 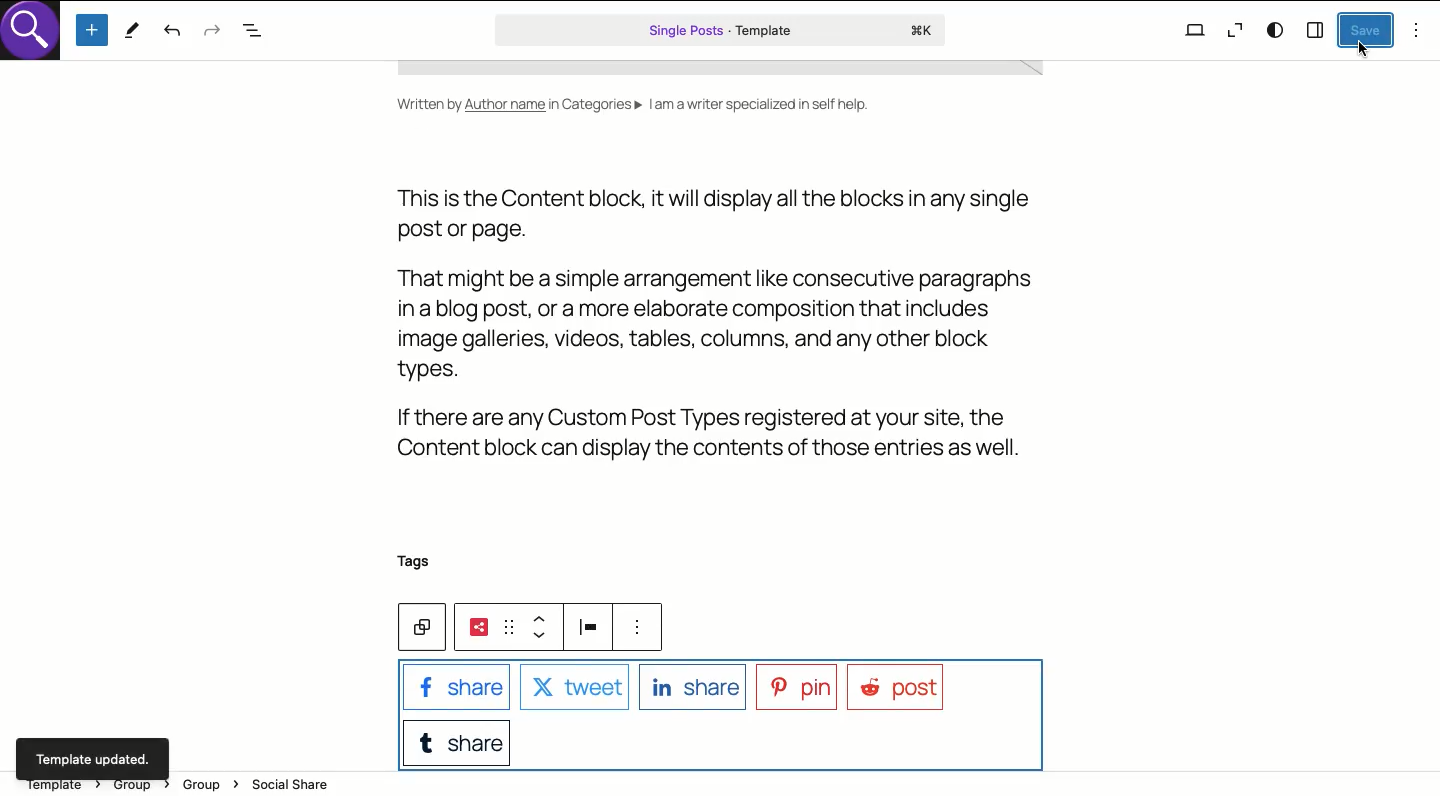 What do you see at coordinates (184, 787) in the screenshot?
I see `Template > Group > Group > Social Share` at bounding box center [184, 787].